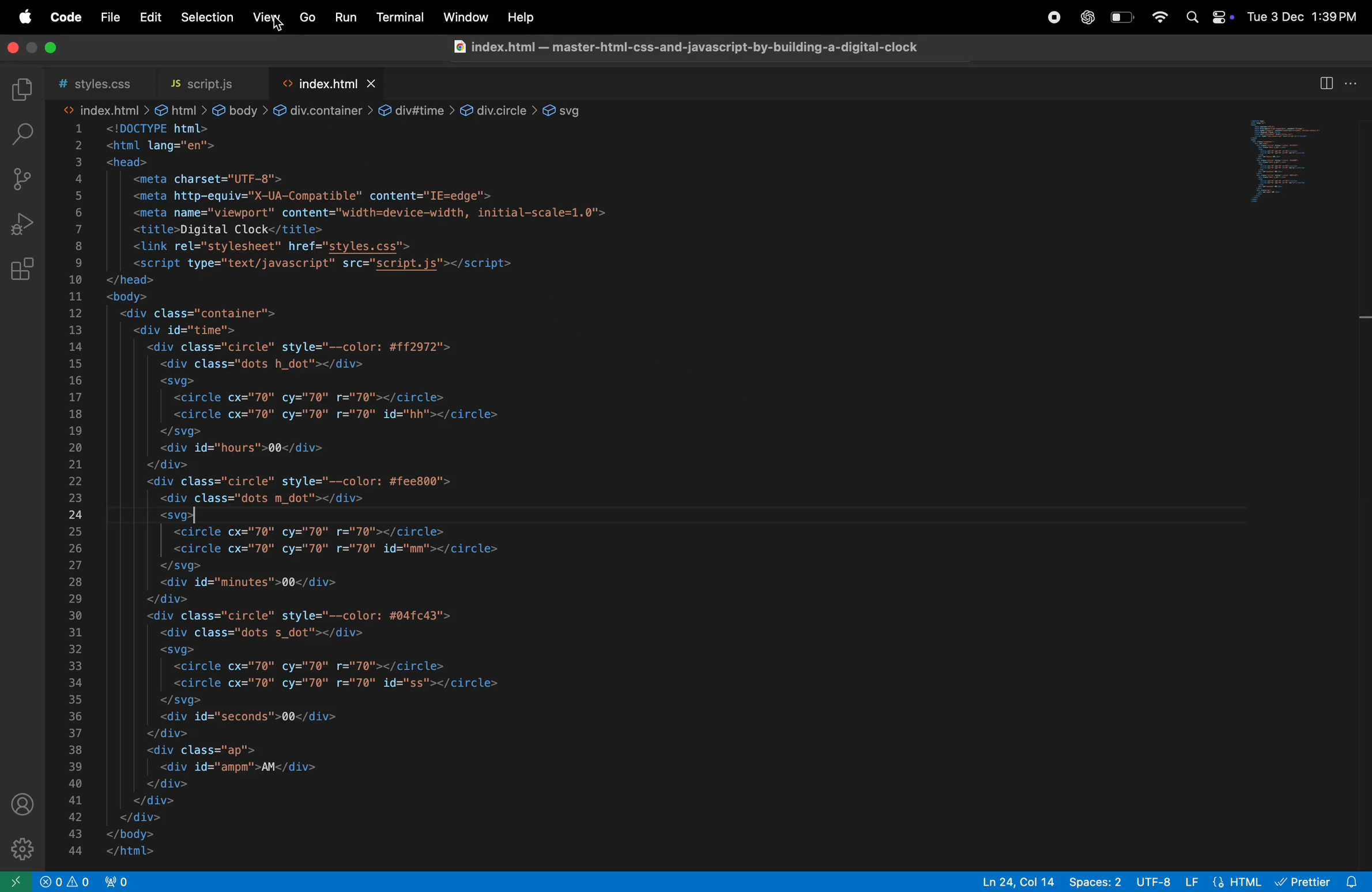 The height and width of the screenshot is (892, 1372). What do you see at coordinates (25, 90) in the screenshot?
I see `explorer` at bounding box center [25, 90].